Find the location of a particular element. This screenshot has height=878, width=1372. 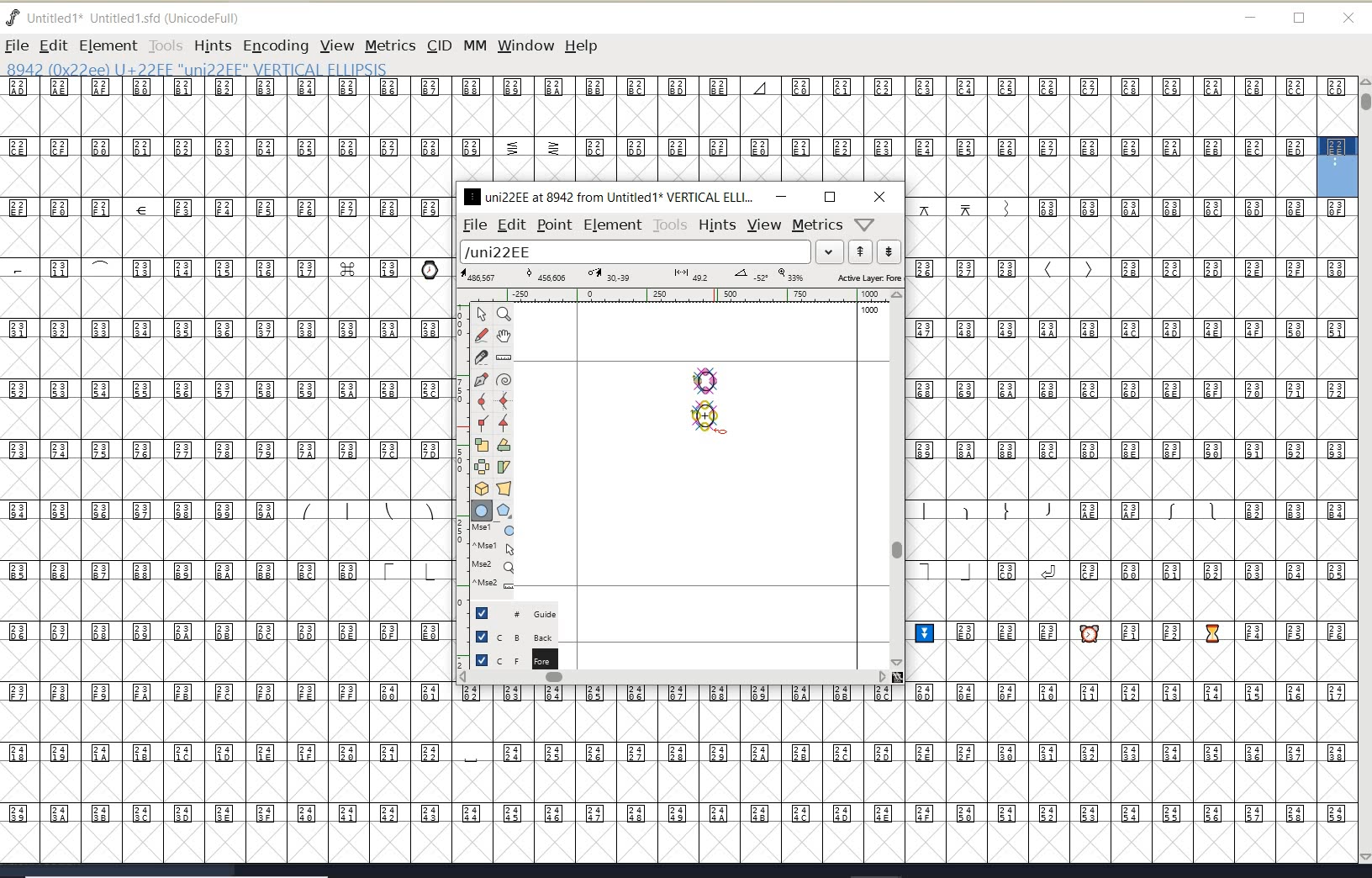

edit is located at coordinates (510, 224).